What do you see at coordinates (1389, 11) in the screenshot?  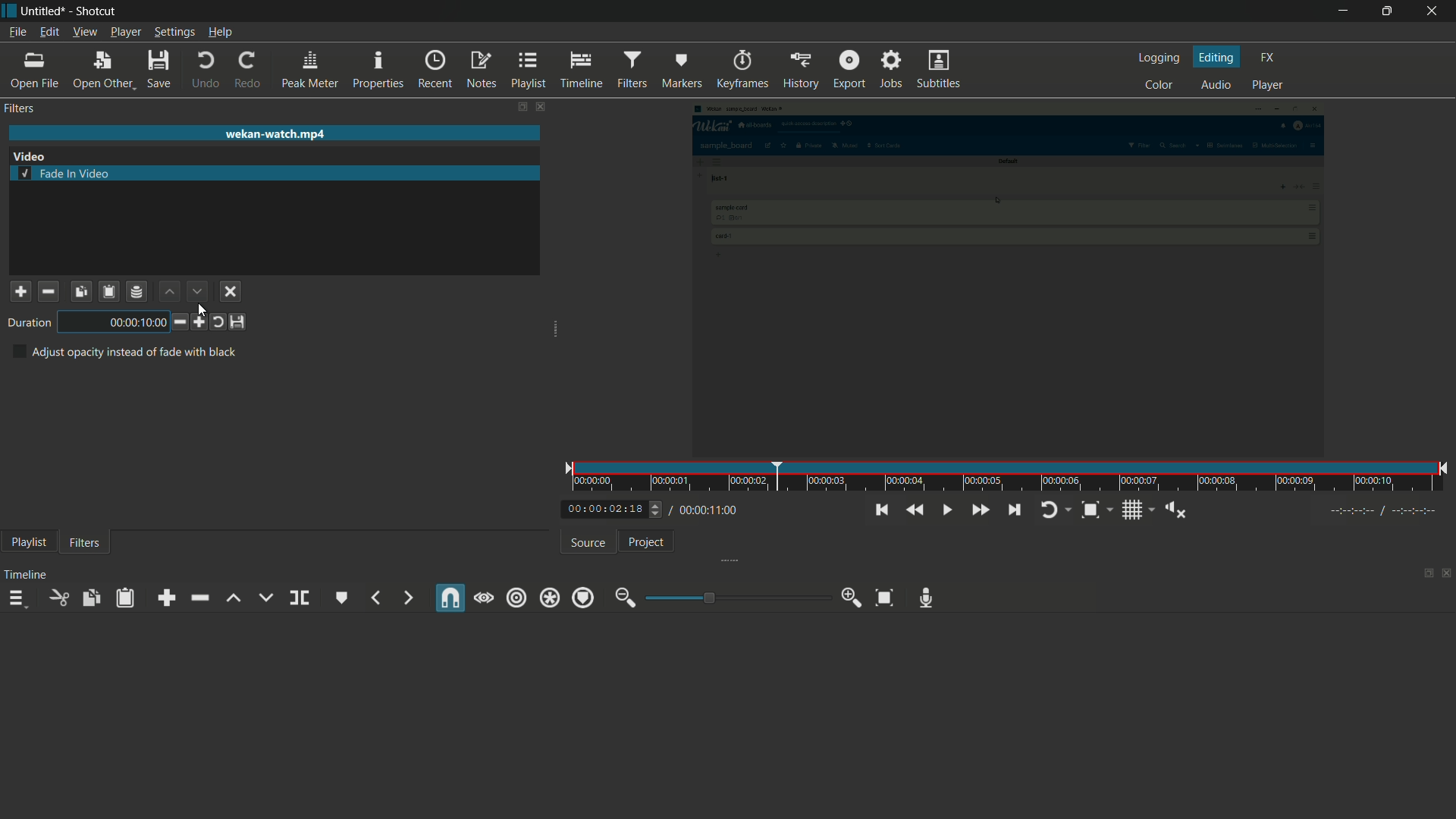 I see `maximize` at bounding box center [1389, 11].